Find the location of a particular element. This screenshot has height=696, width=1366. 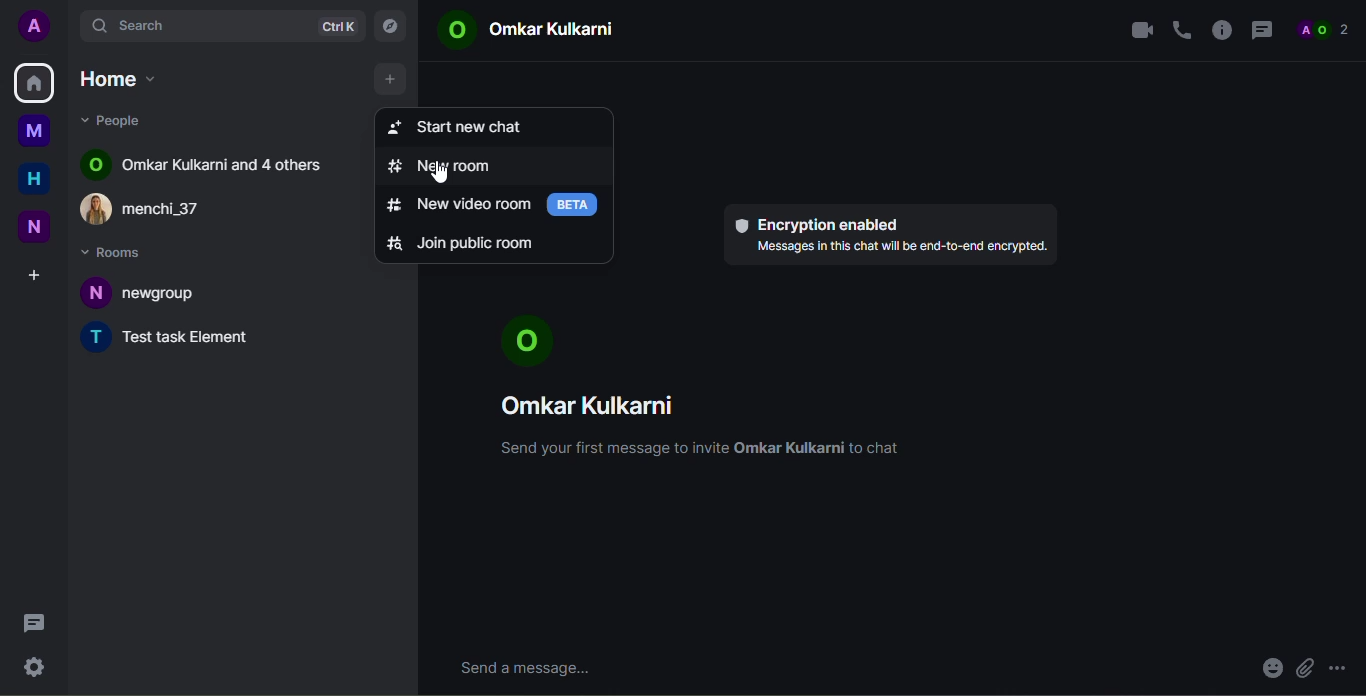

threads is located at coordinates (33, 623).